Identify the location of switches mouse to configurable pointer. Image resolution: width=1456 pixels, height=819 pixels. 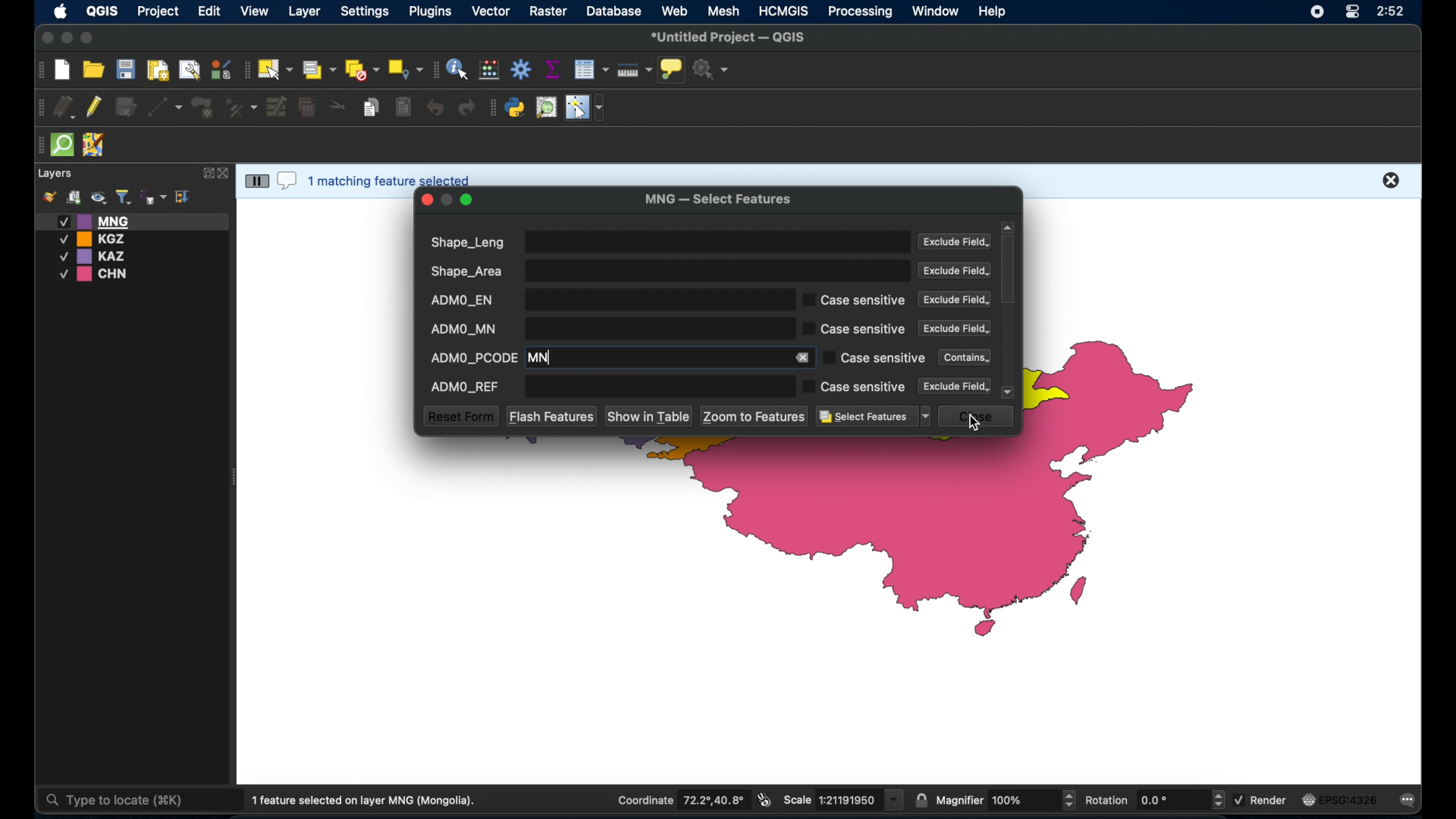
(585, 108).